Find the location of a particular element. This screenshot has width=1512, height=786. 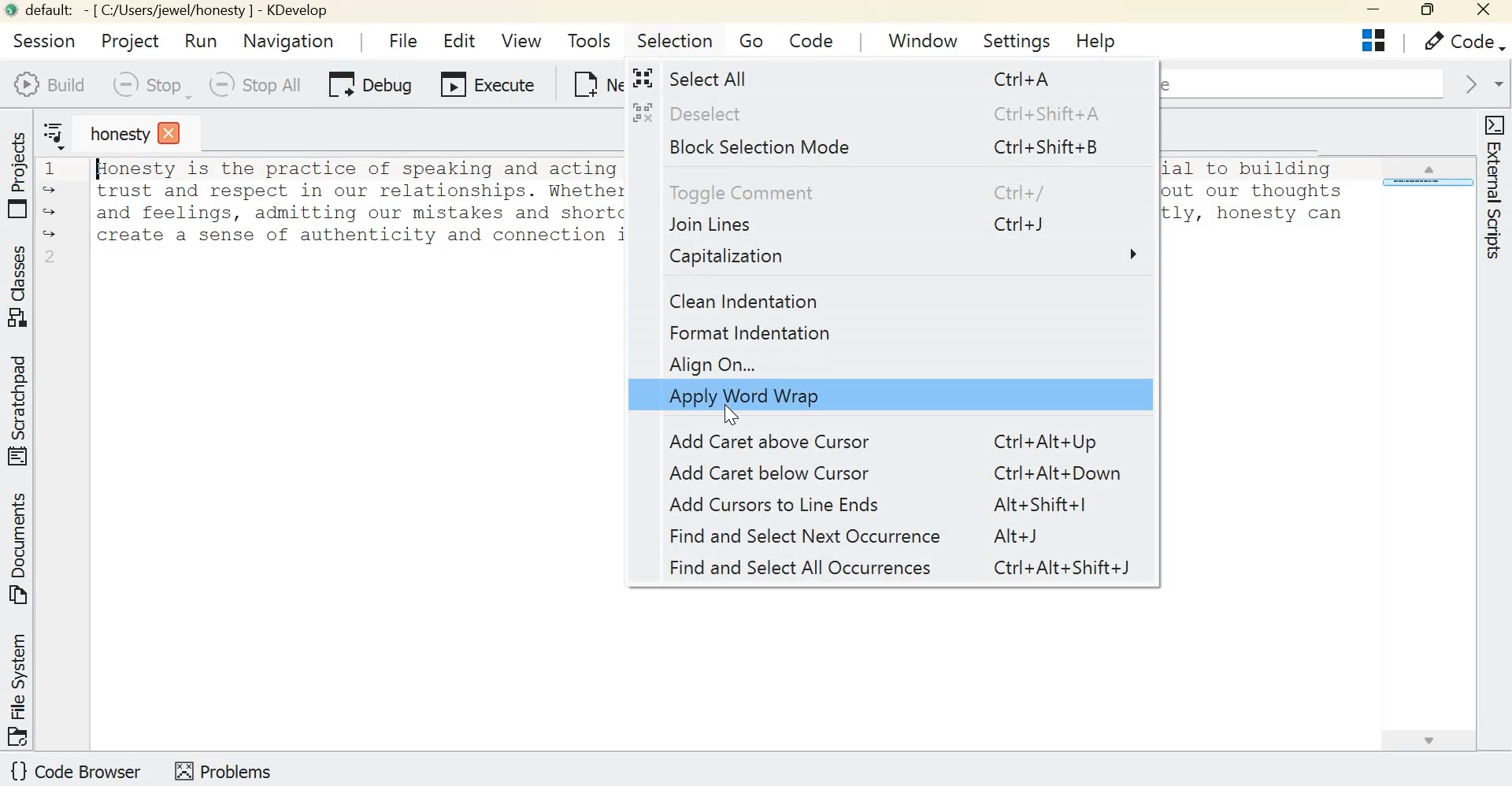

Deselect is located at coordinates (872, 113).